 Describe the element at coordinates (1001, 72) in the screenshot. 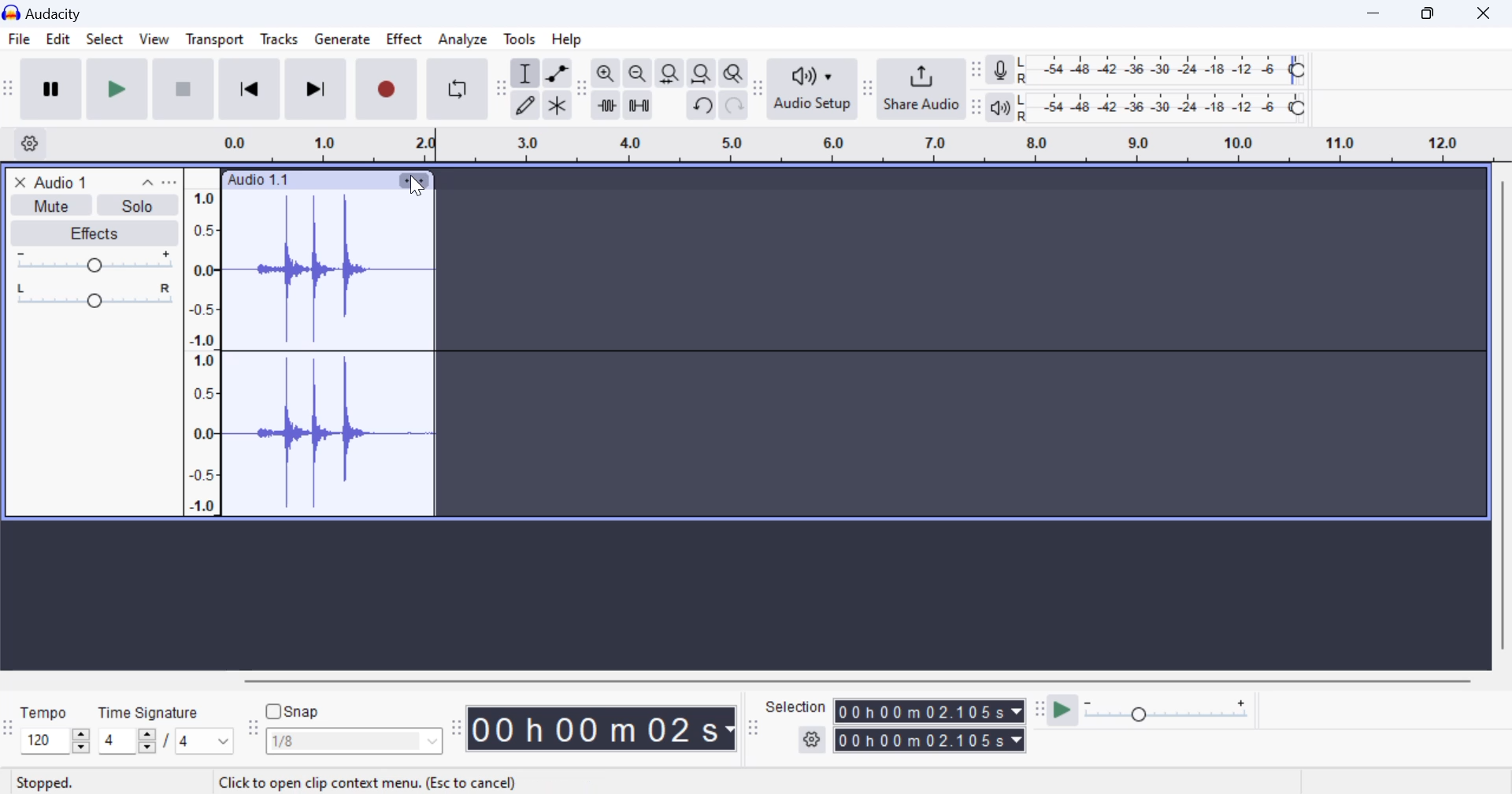

I see `record meter` at that location.